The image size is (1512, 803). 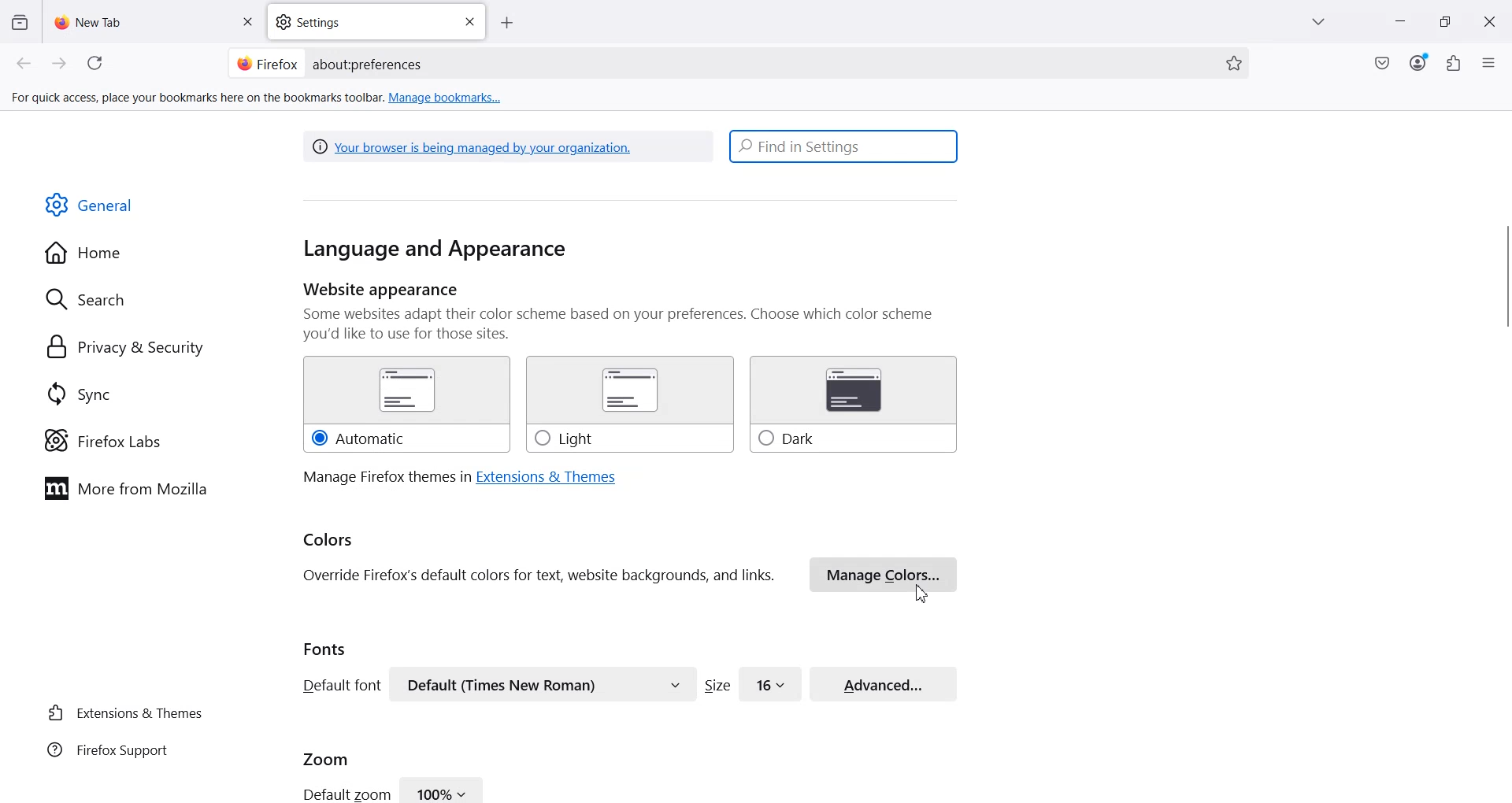 What do you see at coordinates (125, 349) in the screenshot?
I see `8 Privacy & Security` at bounding box center [125, 349].